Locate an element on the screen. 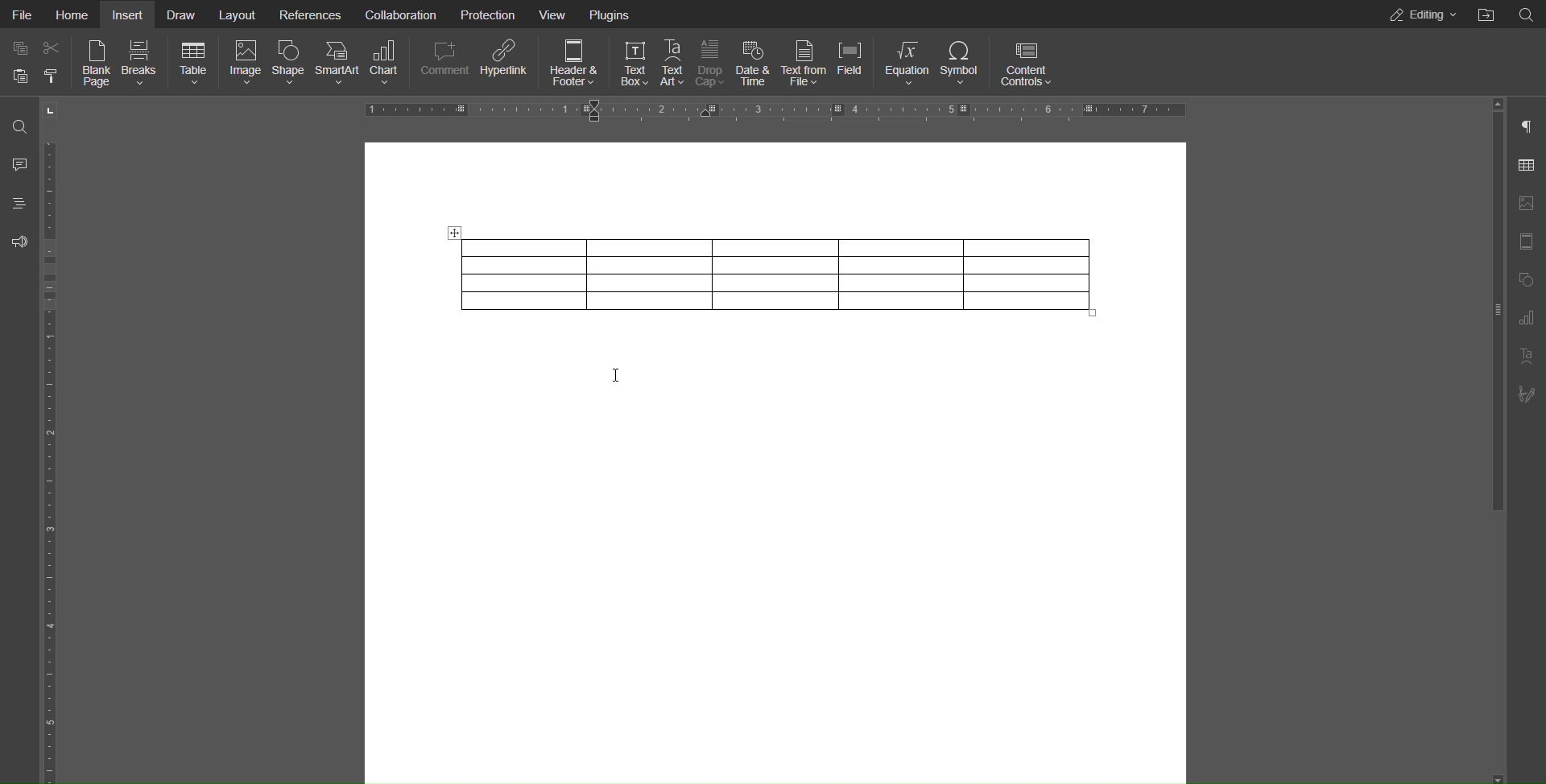  Paragraph Settings is located at coordinates (1527, 126).